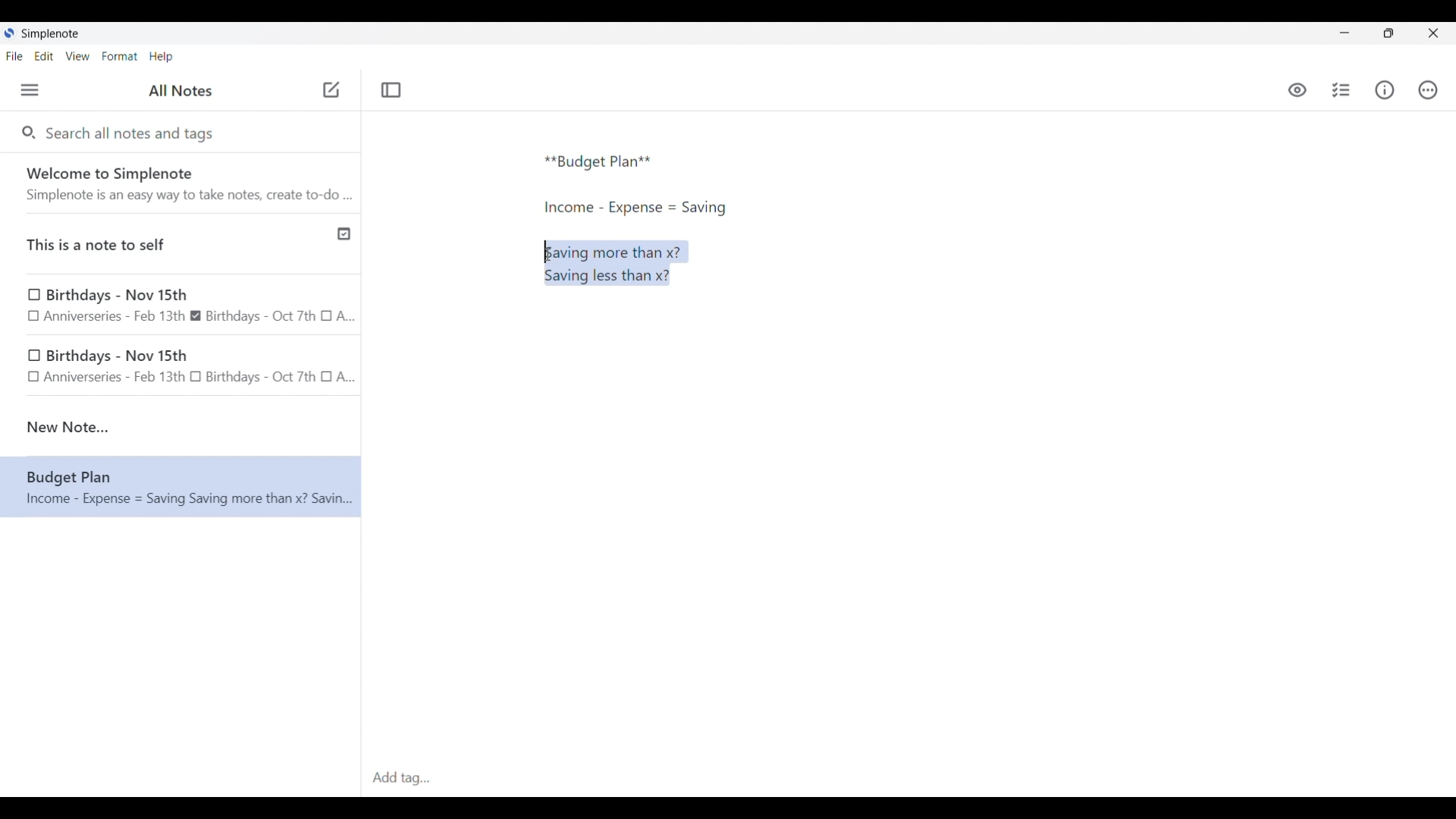  What do you see at coordinates (78, 55) in the screenshot?
I see `View menu` at bounding box center [78, 55].